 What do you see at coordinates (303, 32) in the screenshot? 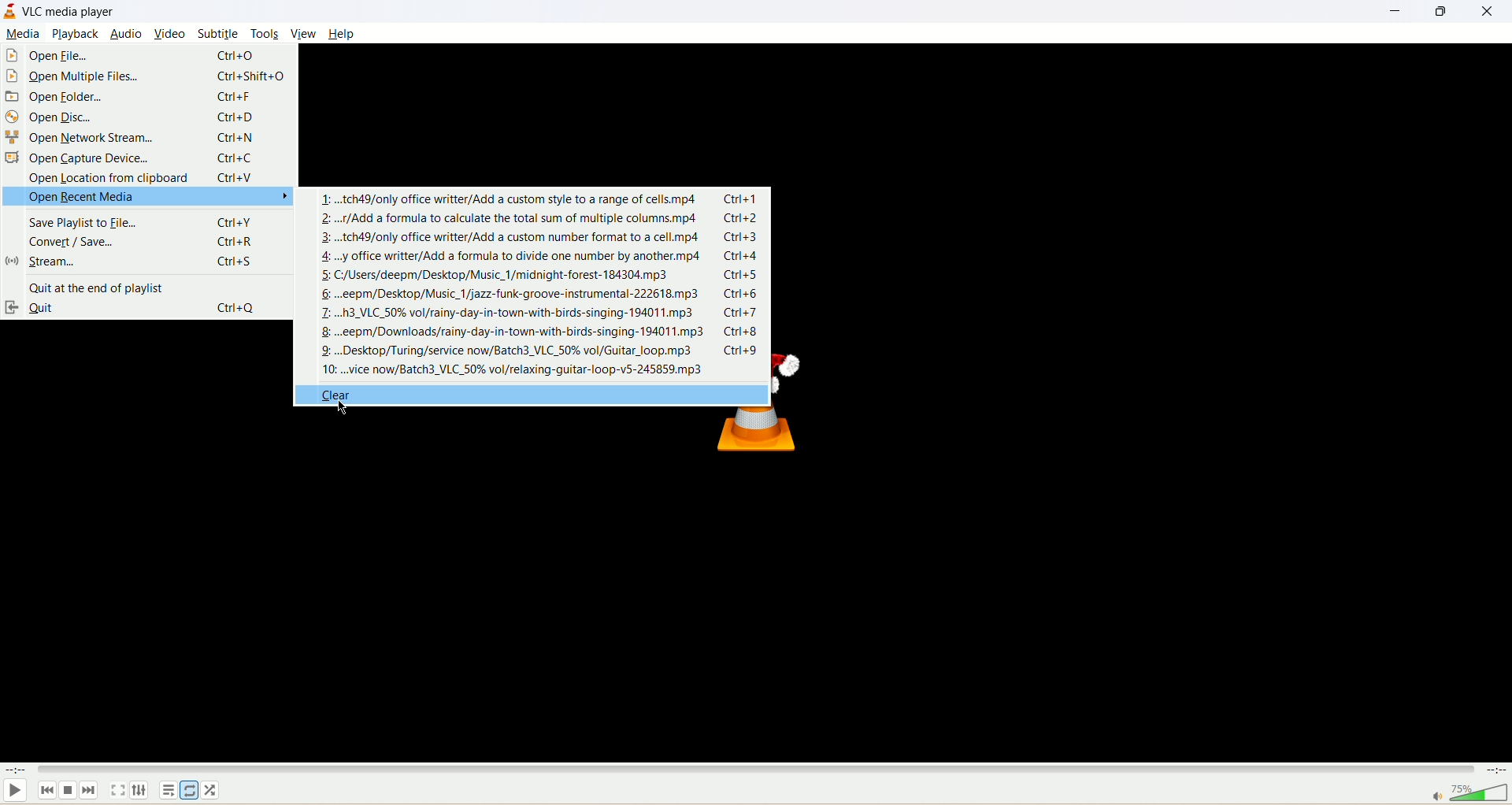
I see `view` at bounding box center [303, 32].